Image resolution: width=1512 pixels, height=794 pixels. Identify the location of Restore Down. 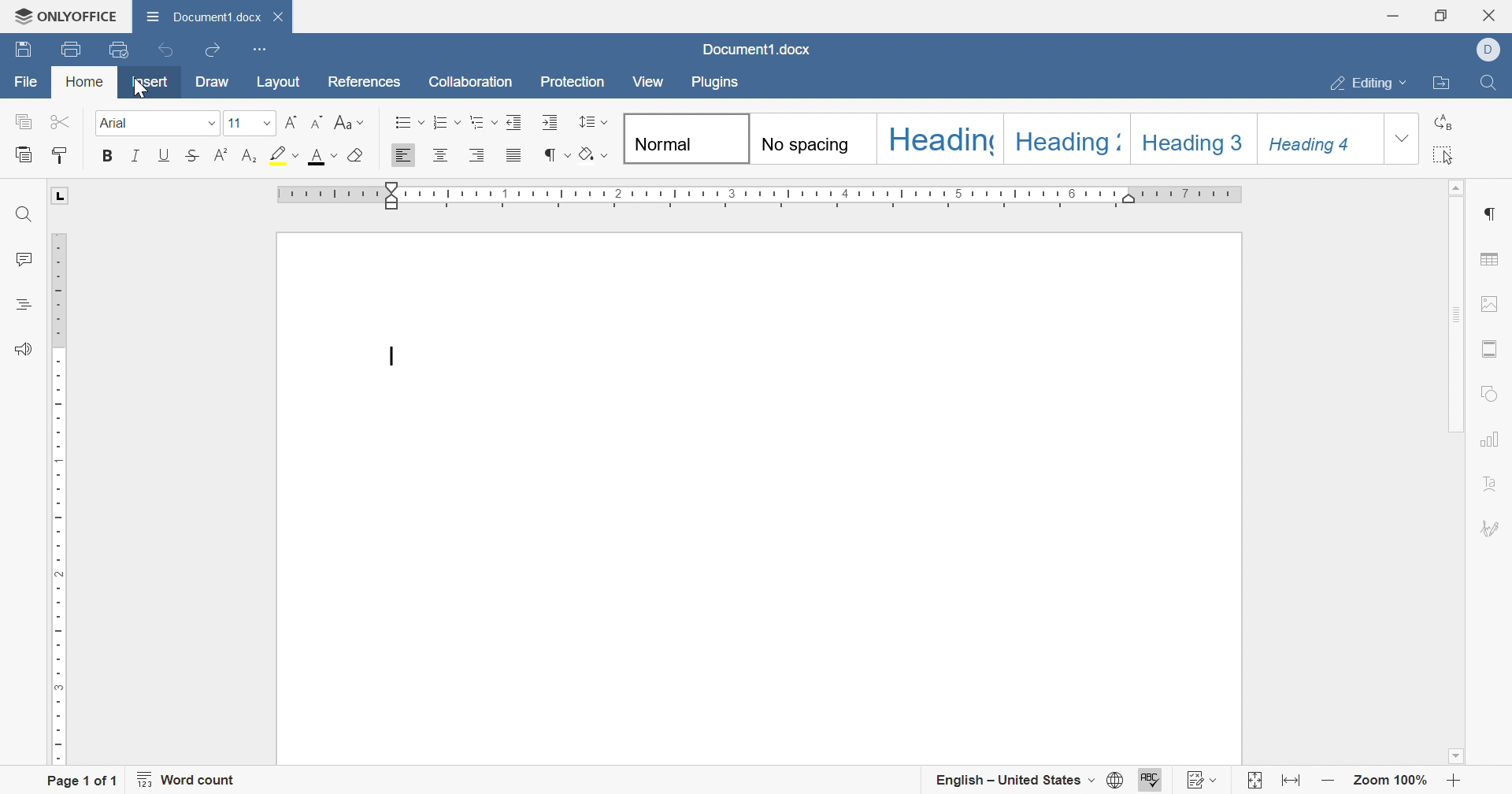
(1443, 15).